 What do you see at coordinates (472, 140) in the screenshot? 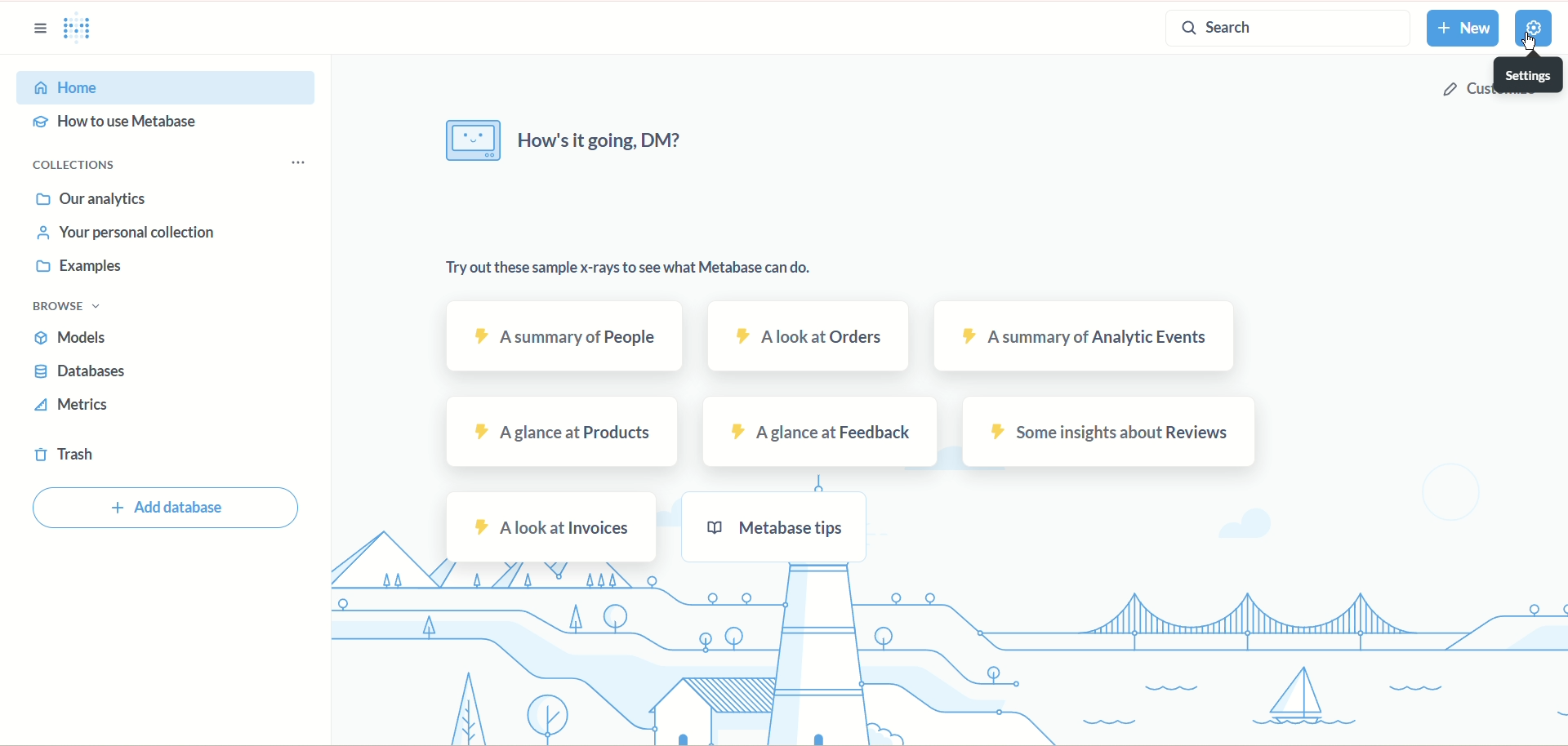
I see `image` at bounding box center [472, 140].